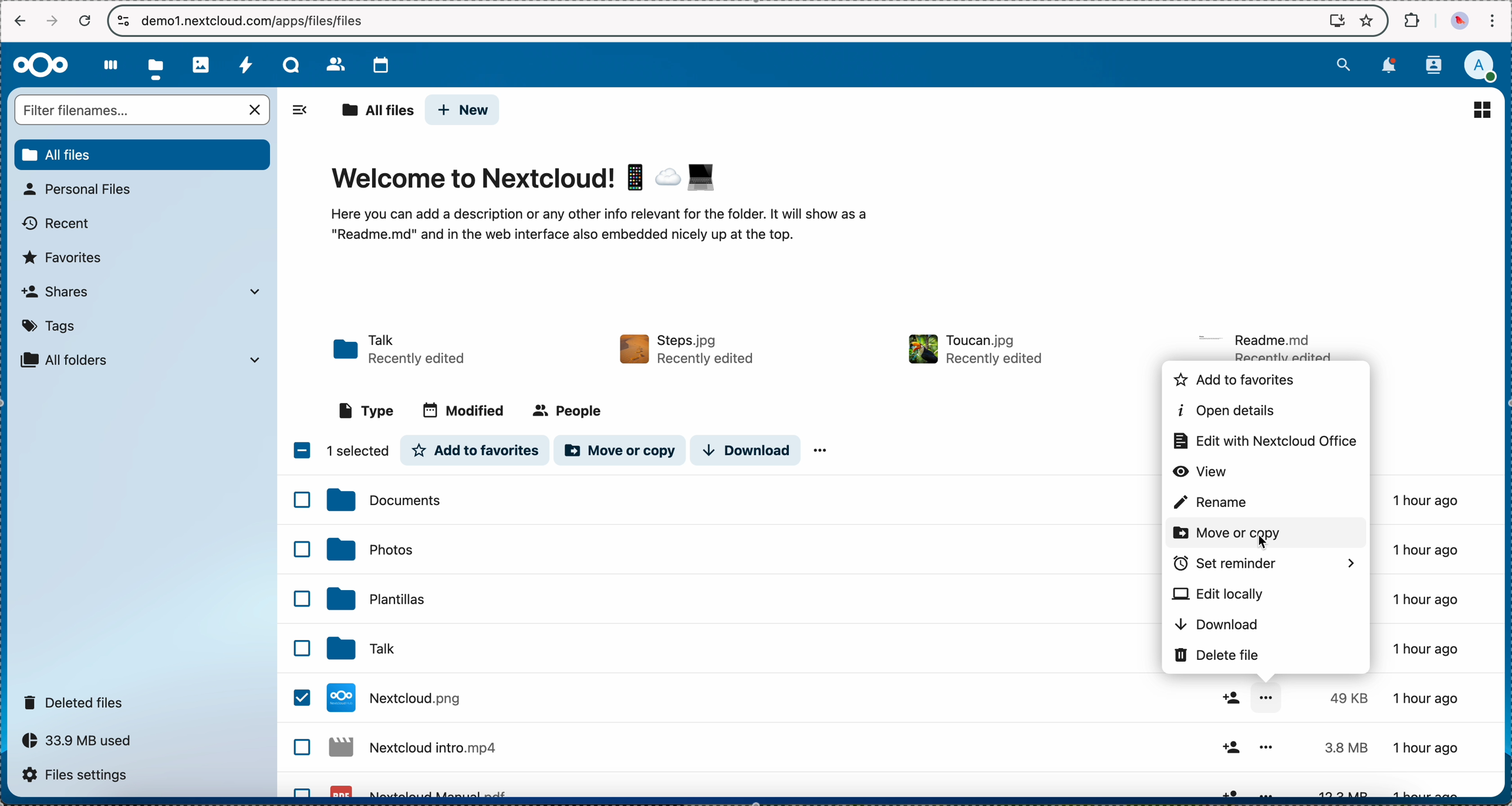 The height and width of the screenshot is (806, 1512). What do you see at coordinates (141, 292) in the screenshot?
I see `shares` at bounding box center [141, 292].